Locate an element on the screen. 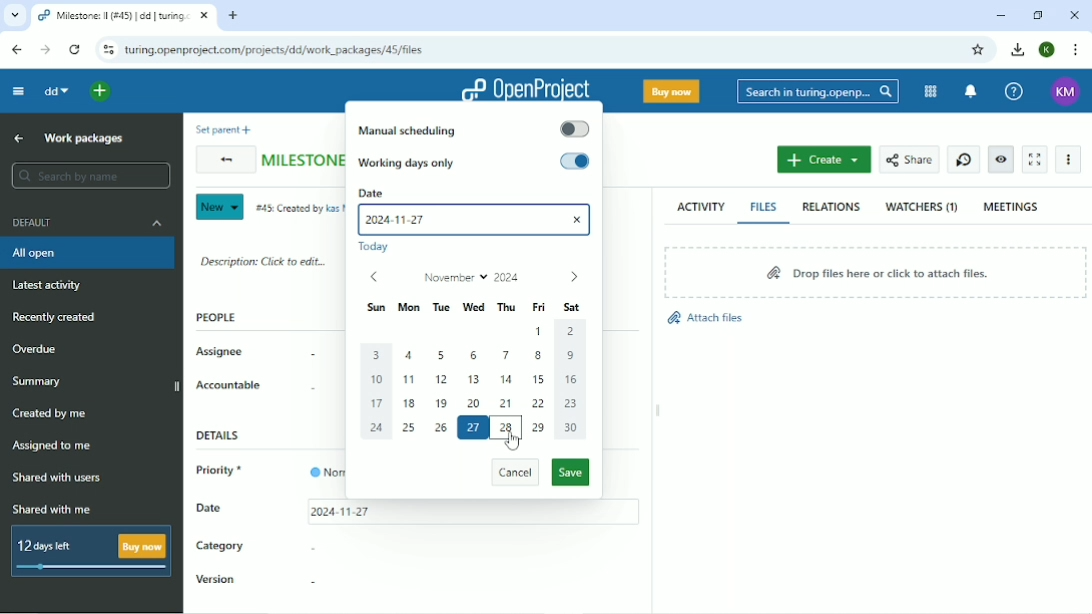  Meetings is located at coordinates (1012, 206).